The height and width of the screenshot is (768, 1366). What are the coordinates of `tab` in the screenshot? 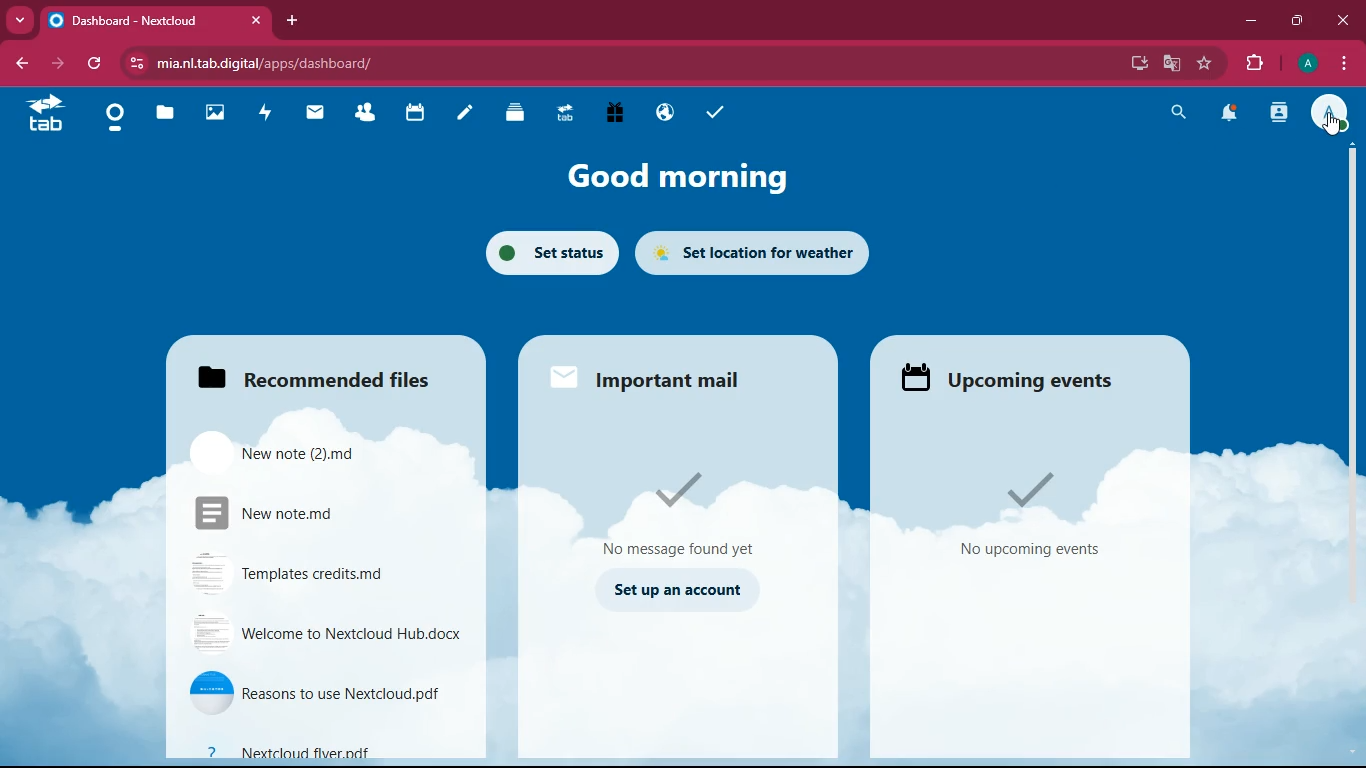 It's located at (564, 114).